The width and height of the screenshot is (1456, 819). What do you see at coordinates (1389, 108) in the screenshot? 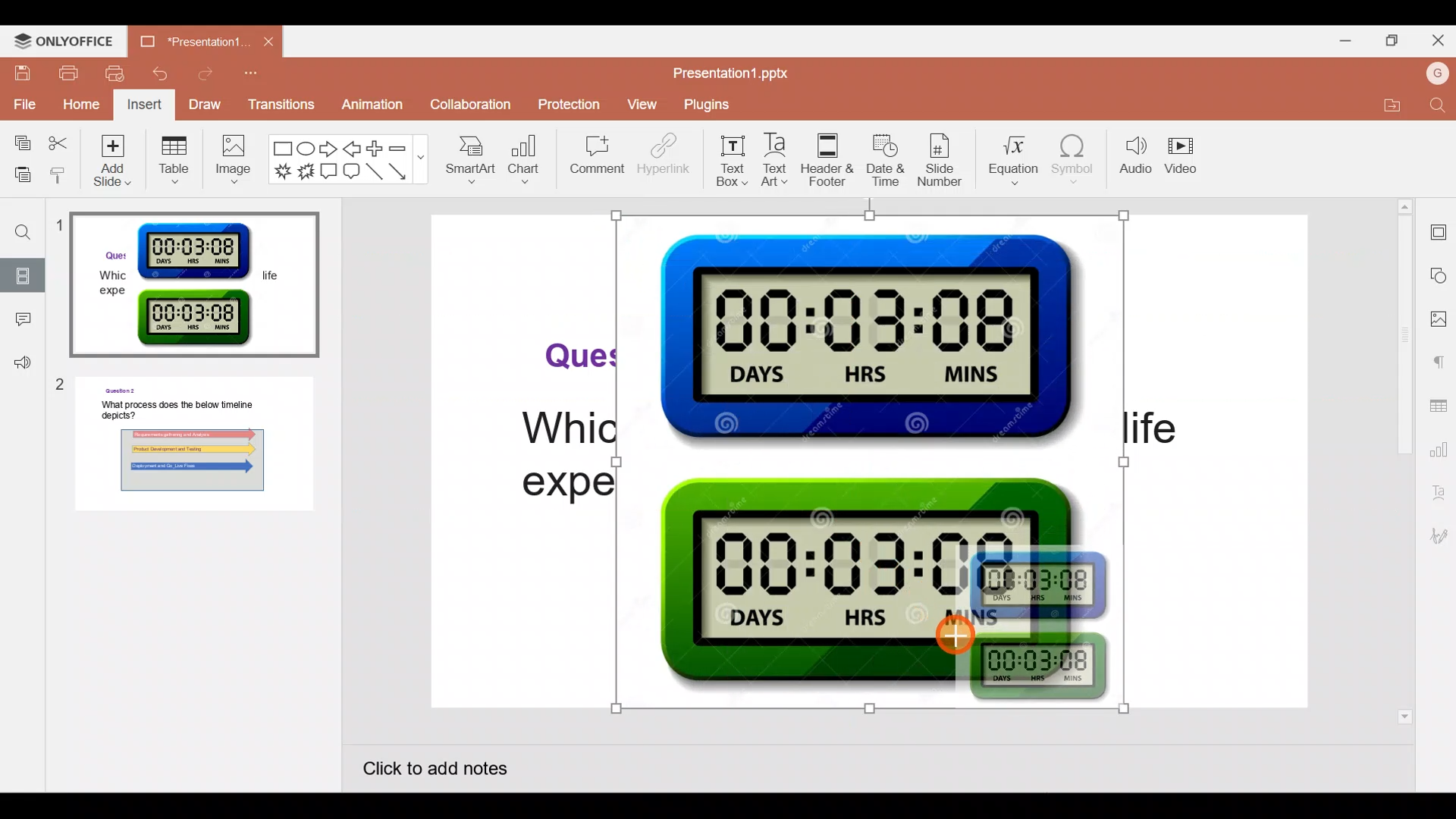
I see `Open file location` at bounding box center [1389, 108].